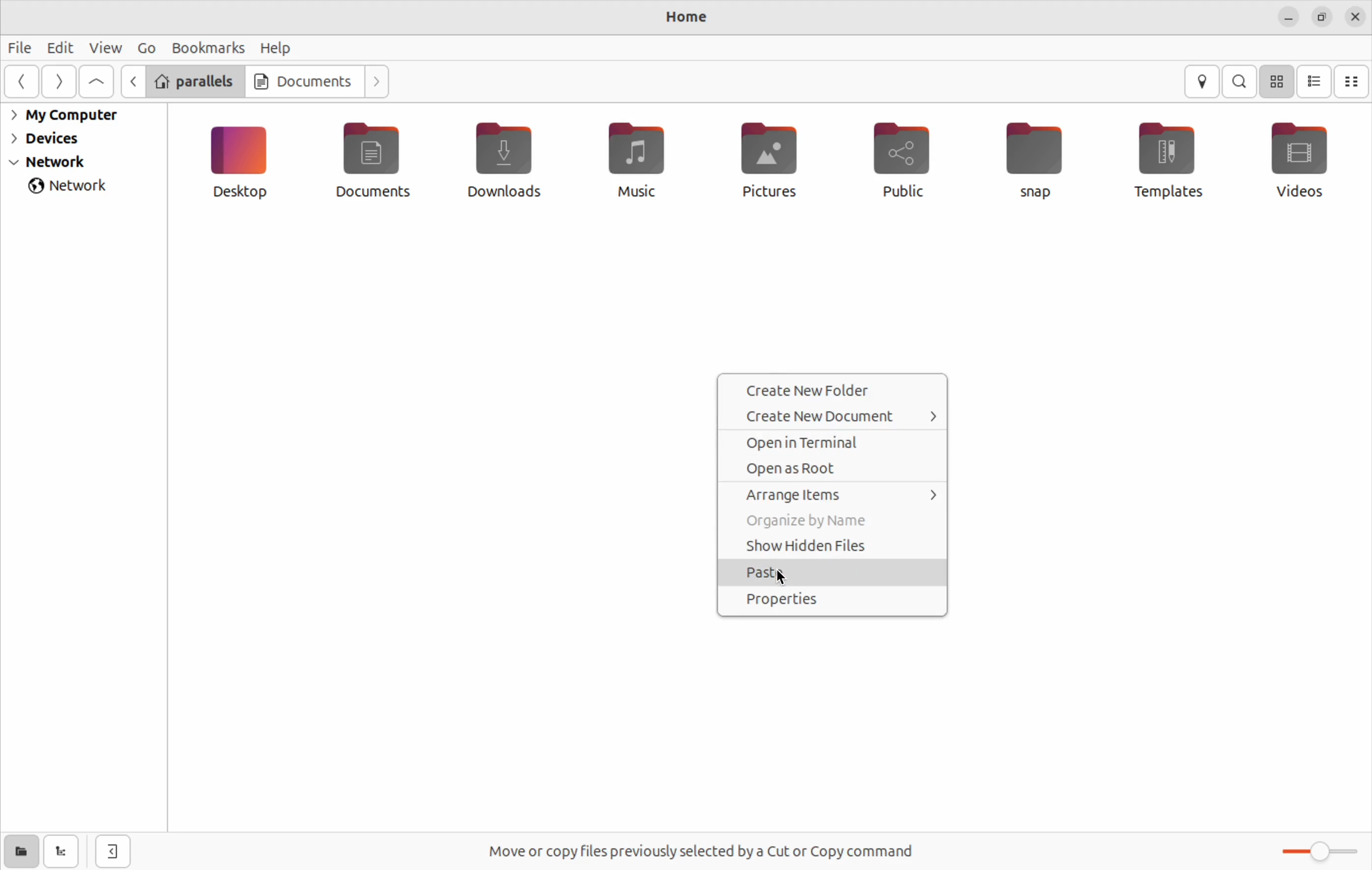 The width and height of the screenshot is (1372, 870). Describe the element at coordinates (830, 468) in the screenshot. I see `open as root` at that location.